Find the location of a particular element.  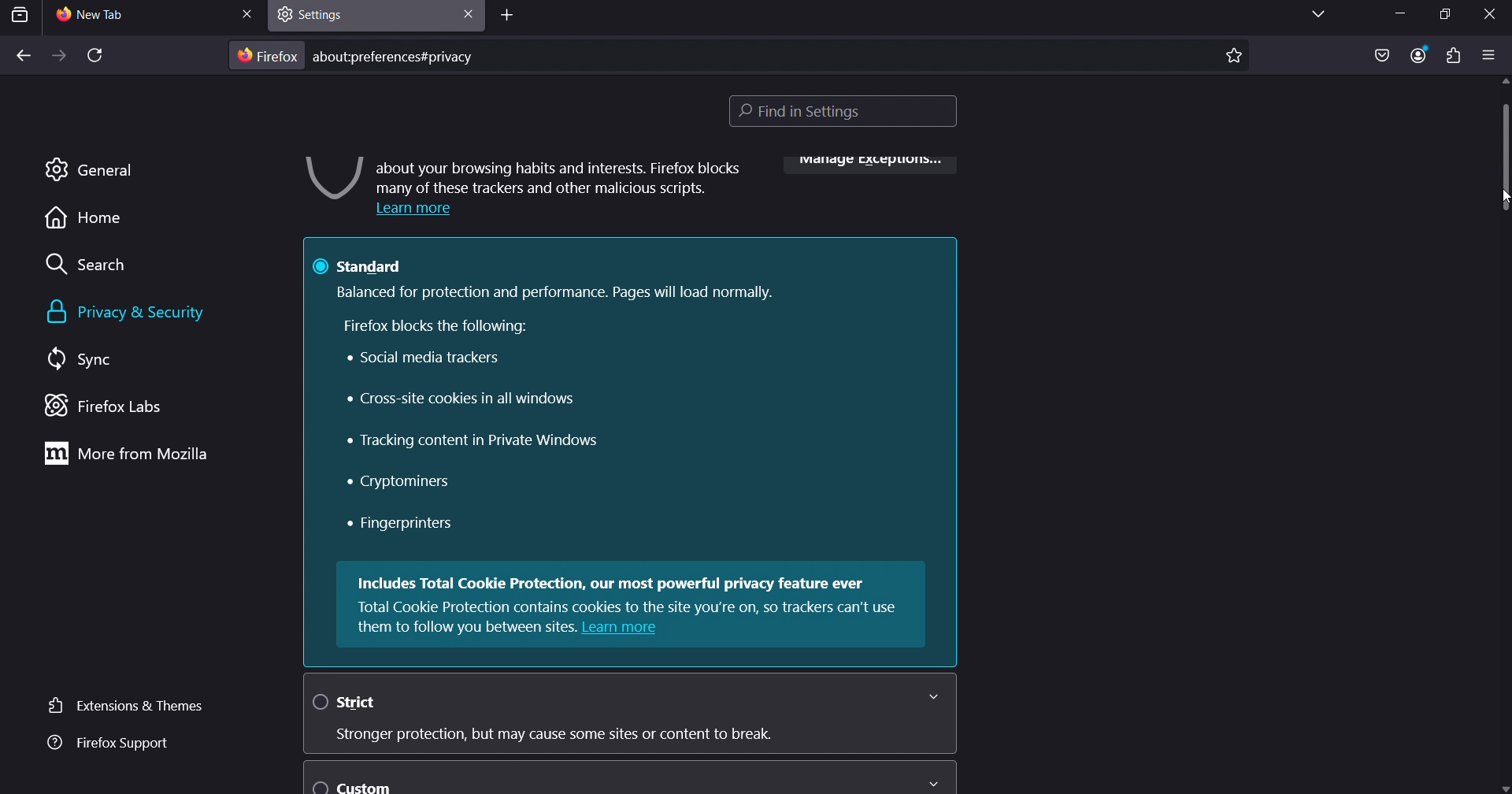

cursor is located at coordinates (1499, 199).